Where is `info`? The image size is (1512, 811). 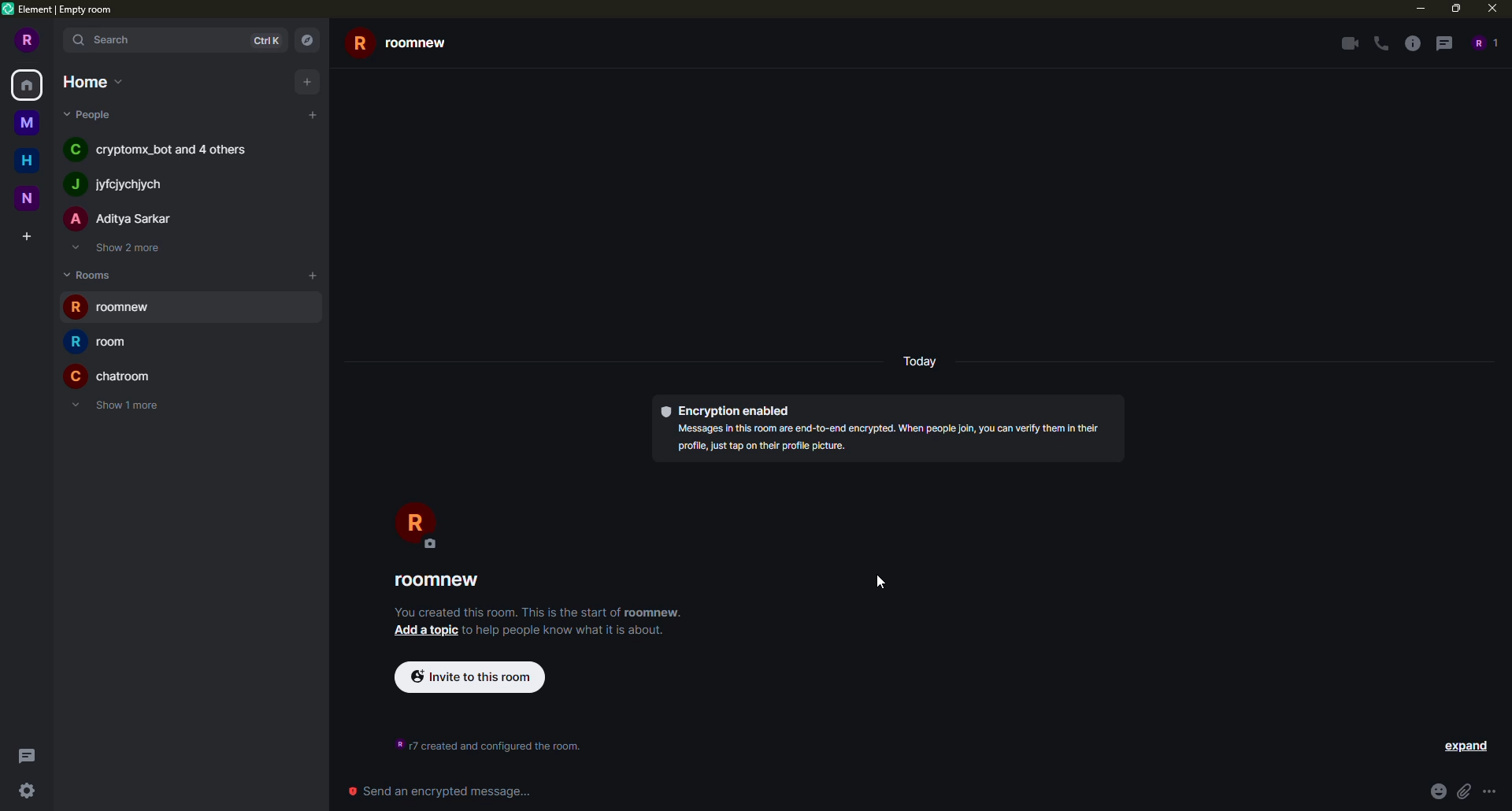 info is located at coordinates (565, 630).